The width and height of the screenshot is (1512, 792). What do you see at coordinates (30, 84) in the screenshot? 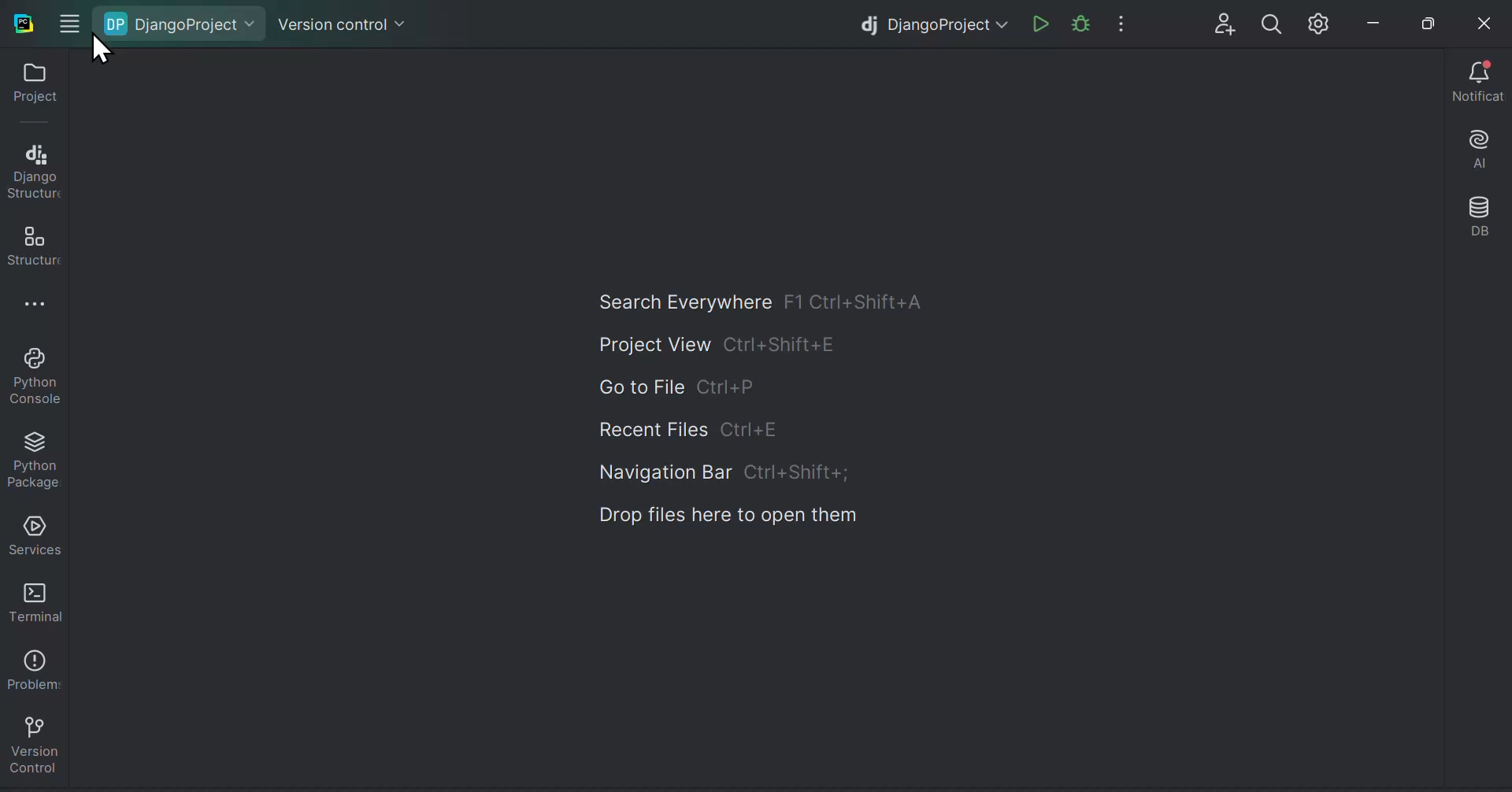
I see `Projects` at bounding box center [30, 84].